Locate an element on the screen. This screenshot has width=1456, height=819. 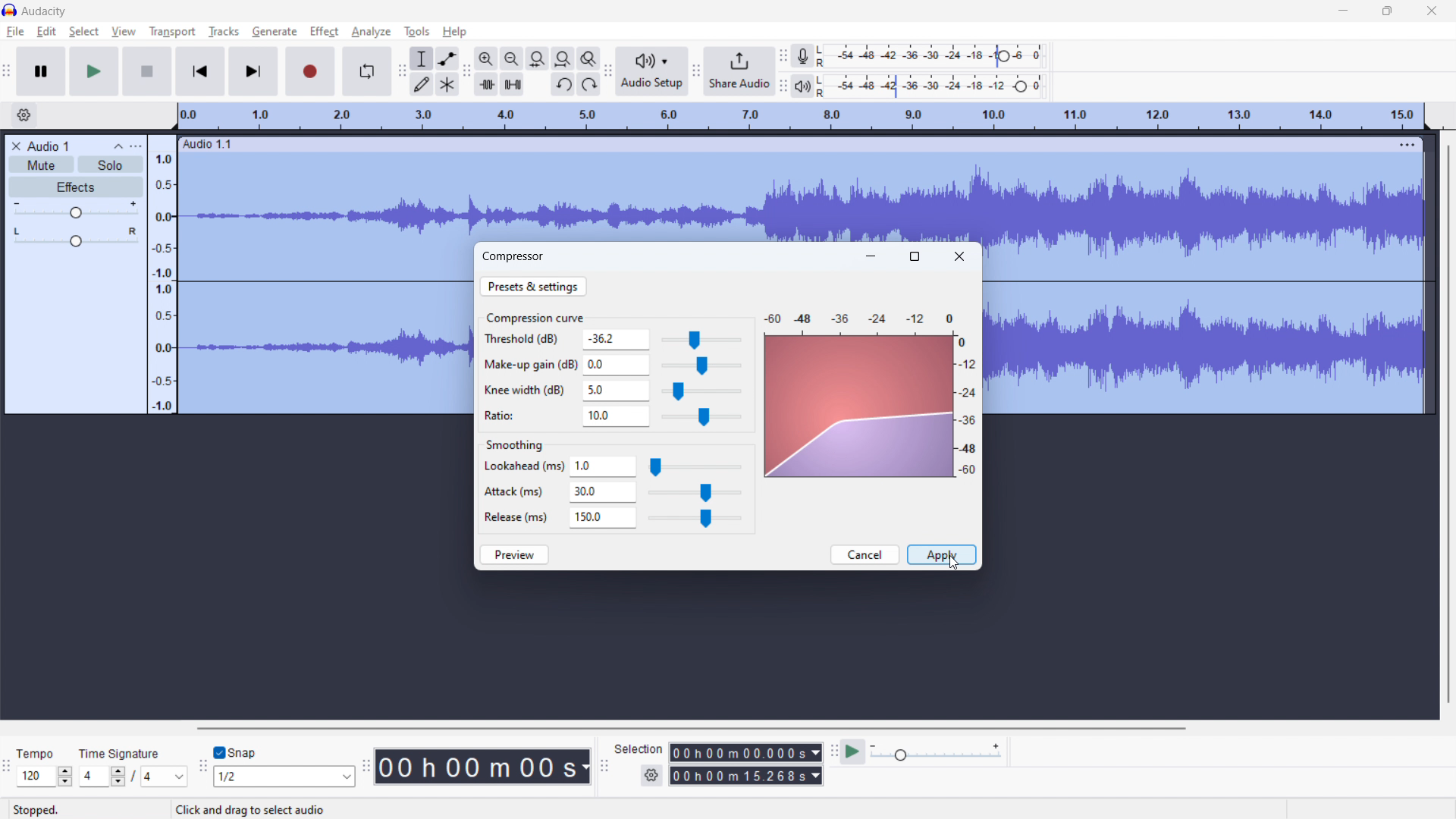
stop is located at coordinates (147, 71).